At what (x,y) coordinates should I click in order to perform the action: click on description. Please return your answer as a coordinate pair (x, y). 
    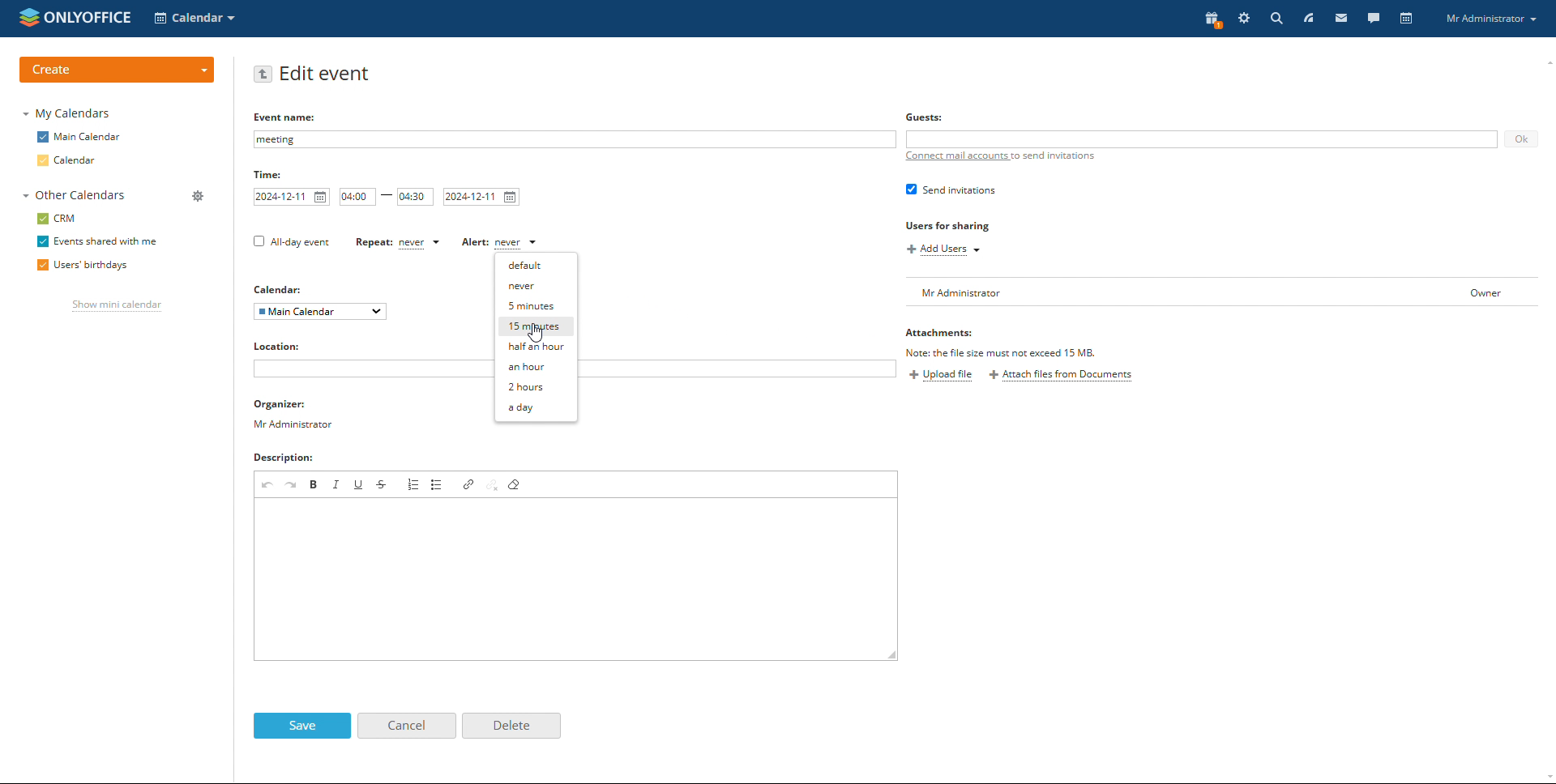
    Looking at the image, I should click on (289, 459).